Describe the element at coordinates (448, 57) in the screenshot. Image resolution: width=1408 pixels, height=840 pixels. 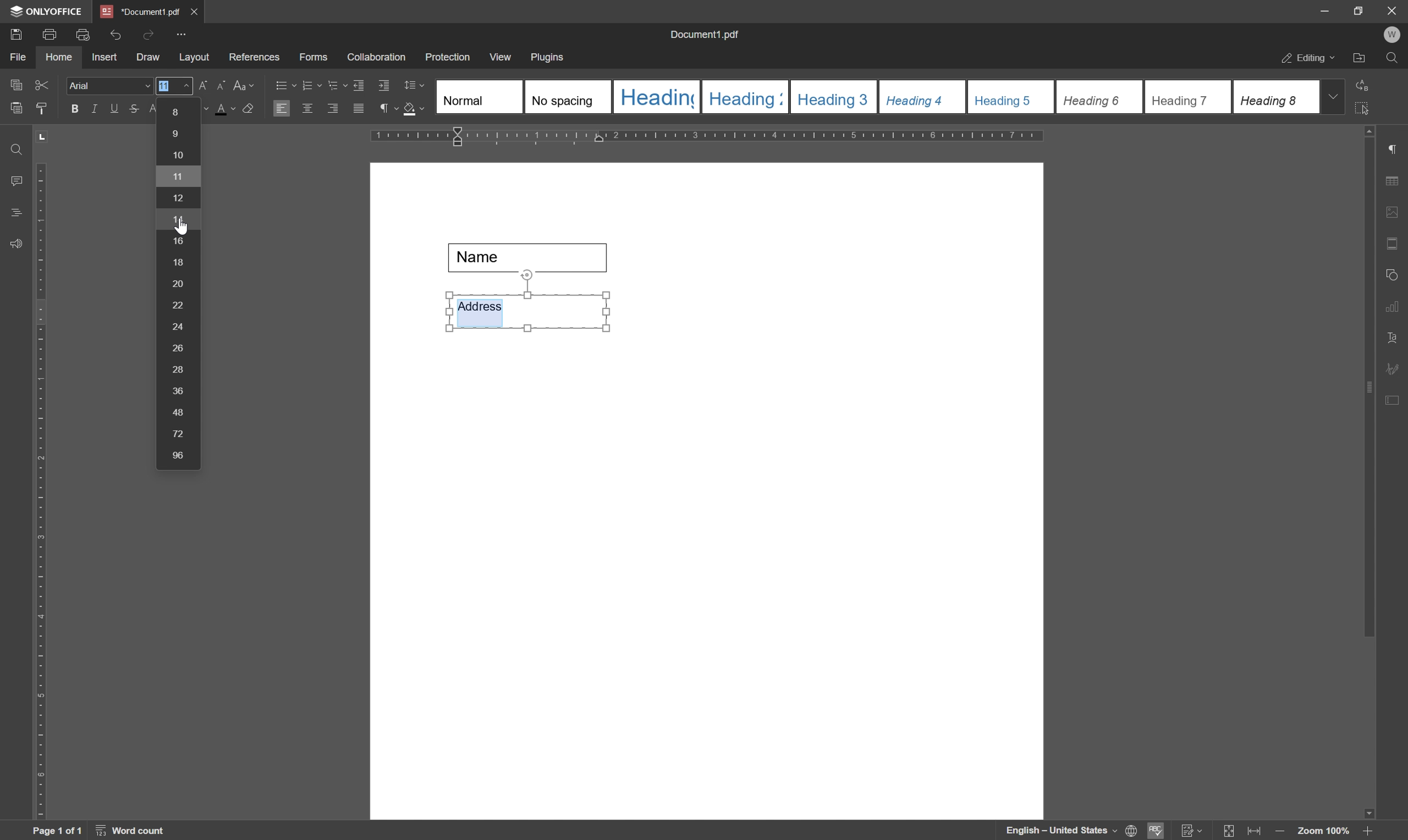
I see `protection` at that location.